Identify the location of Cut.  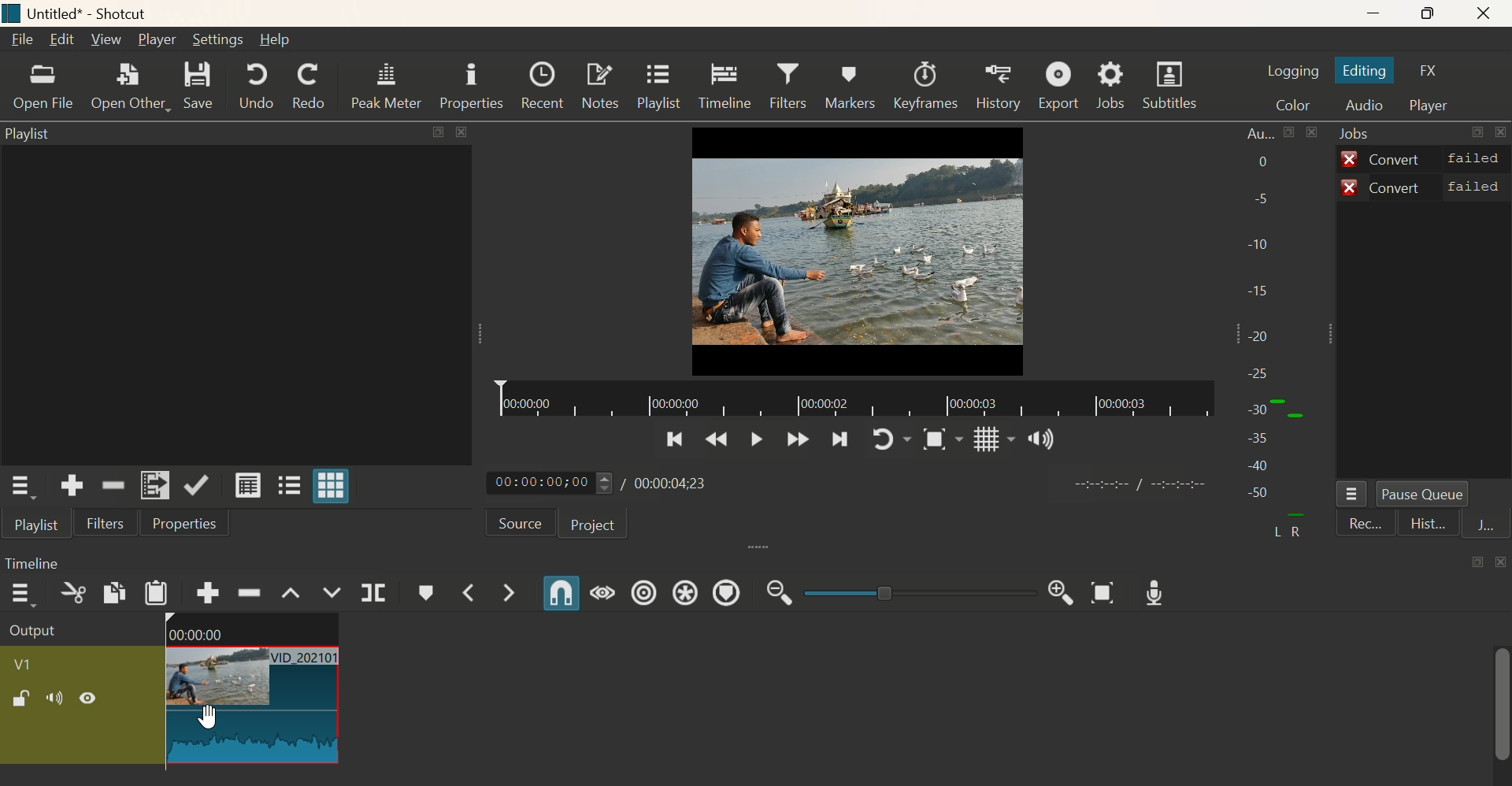
(72, 598).